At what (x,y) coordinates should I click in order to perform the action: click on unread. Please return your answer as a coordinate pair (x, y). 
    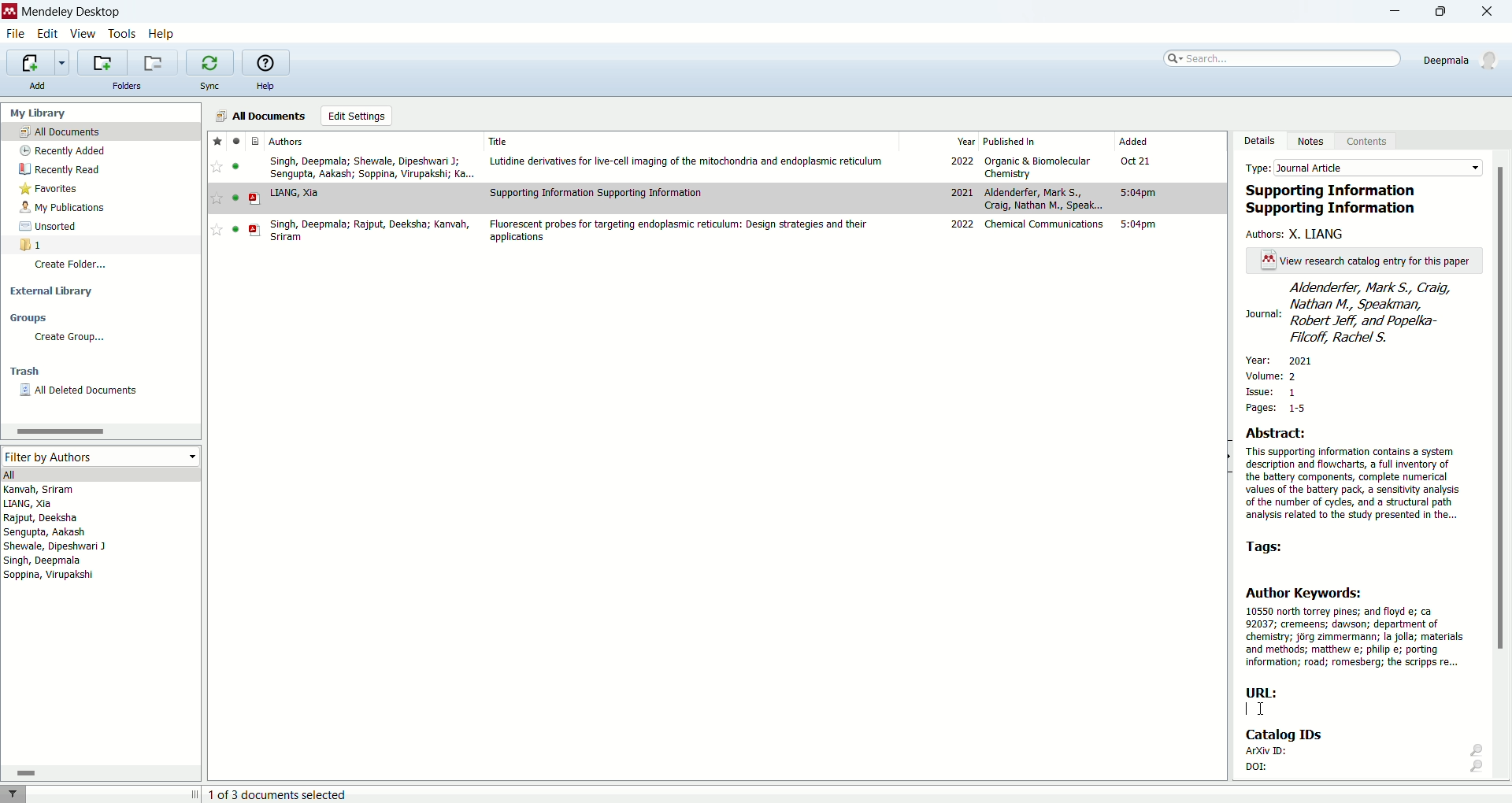
    Looking at the image, I should click on (235, 198).